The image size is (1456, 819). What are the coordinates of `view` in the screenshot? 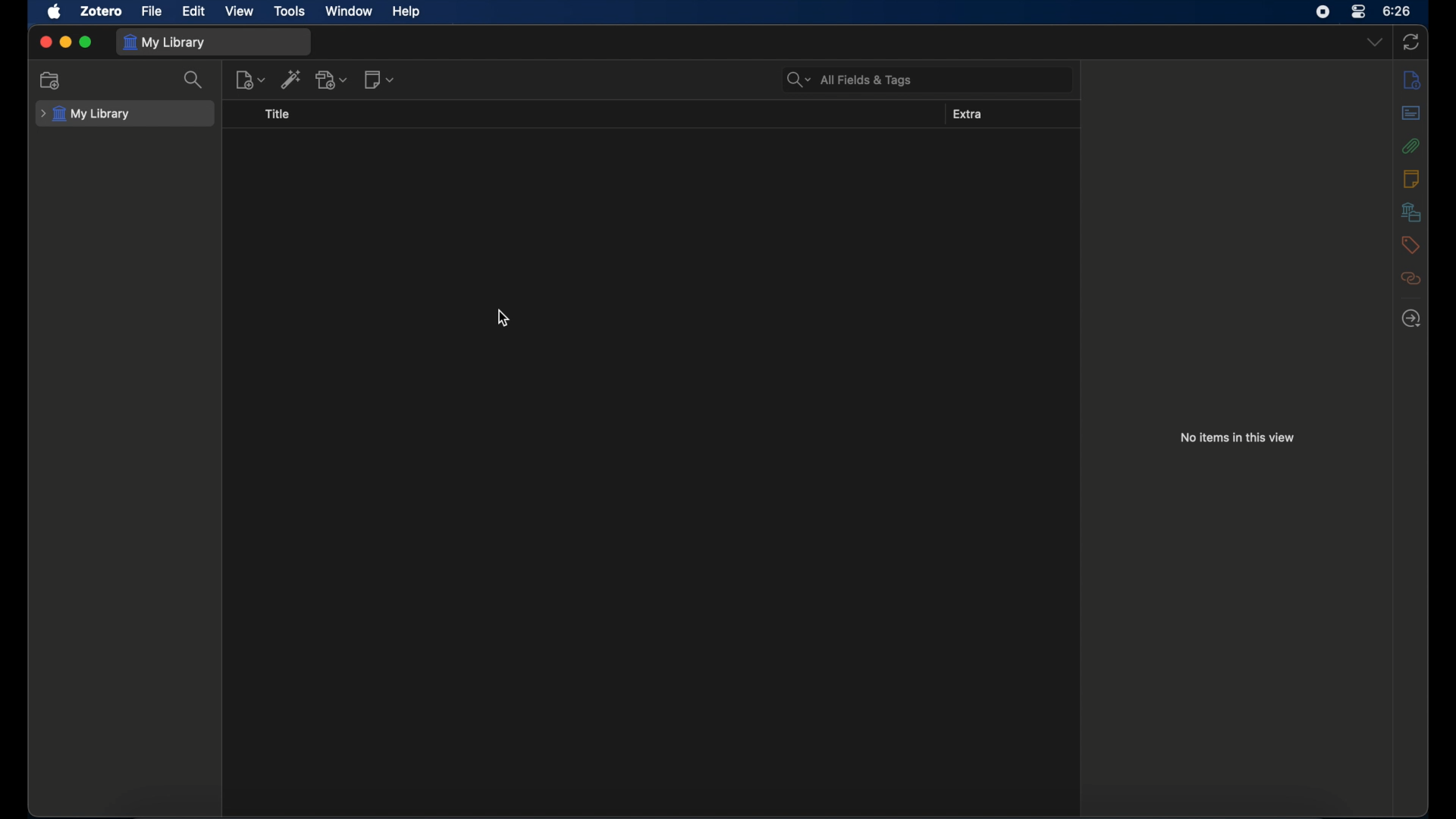 It's located at (240, 11).